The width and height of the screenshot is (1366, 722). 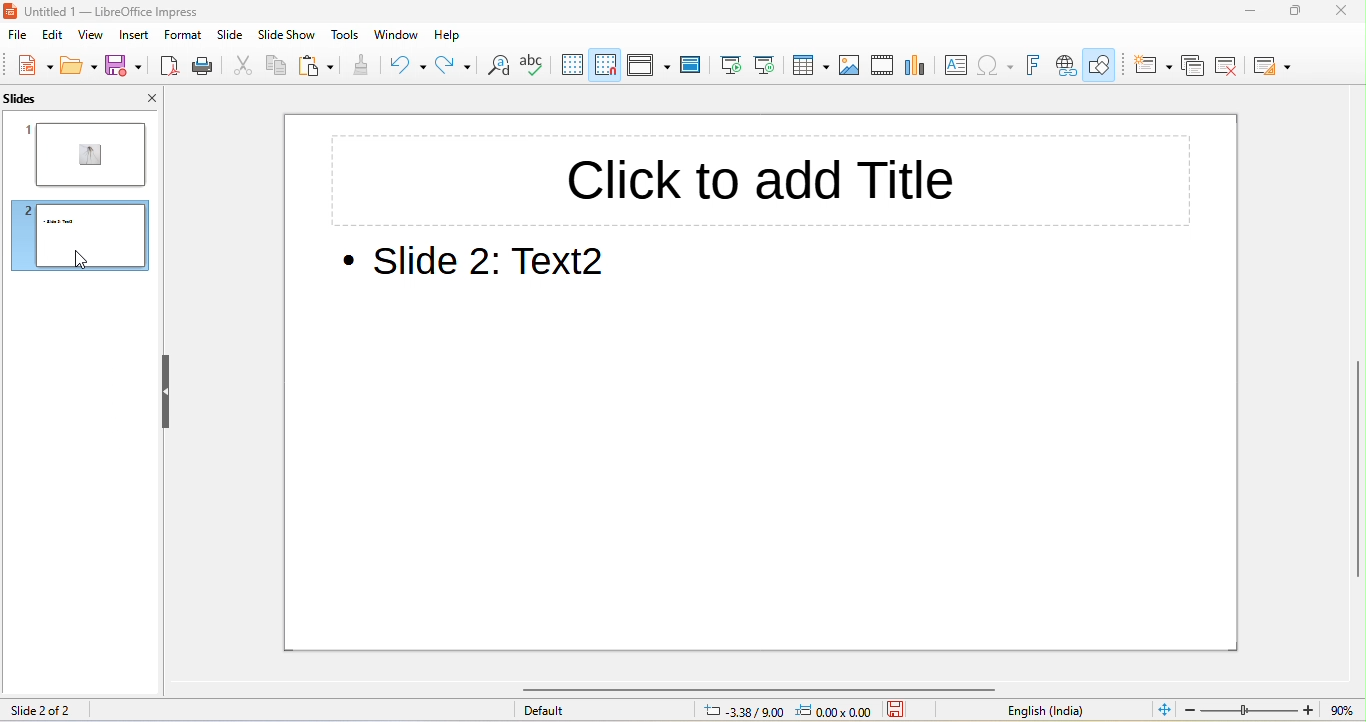 What do you see at coordinates (86, 260) in the screenshot?
I see `cursor` at bounding box center [86, 260].